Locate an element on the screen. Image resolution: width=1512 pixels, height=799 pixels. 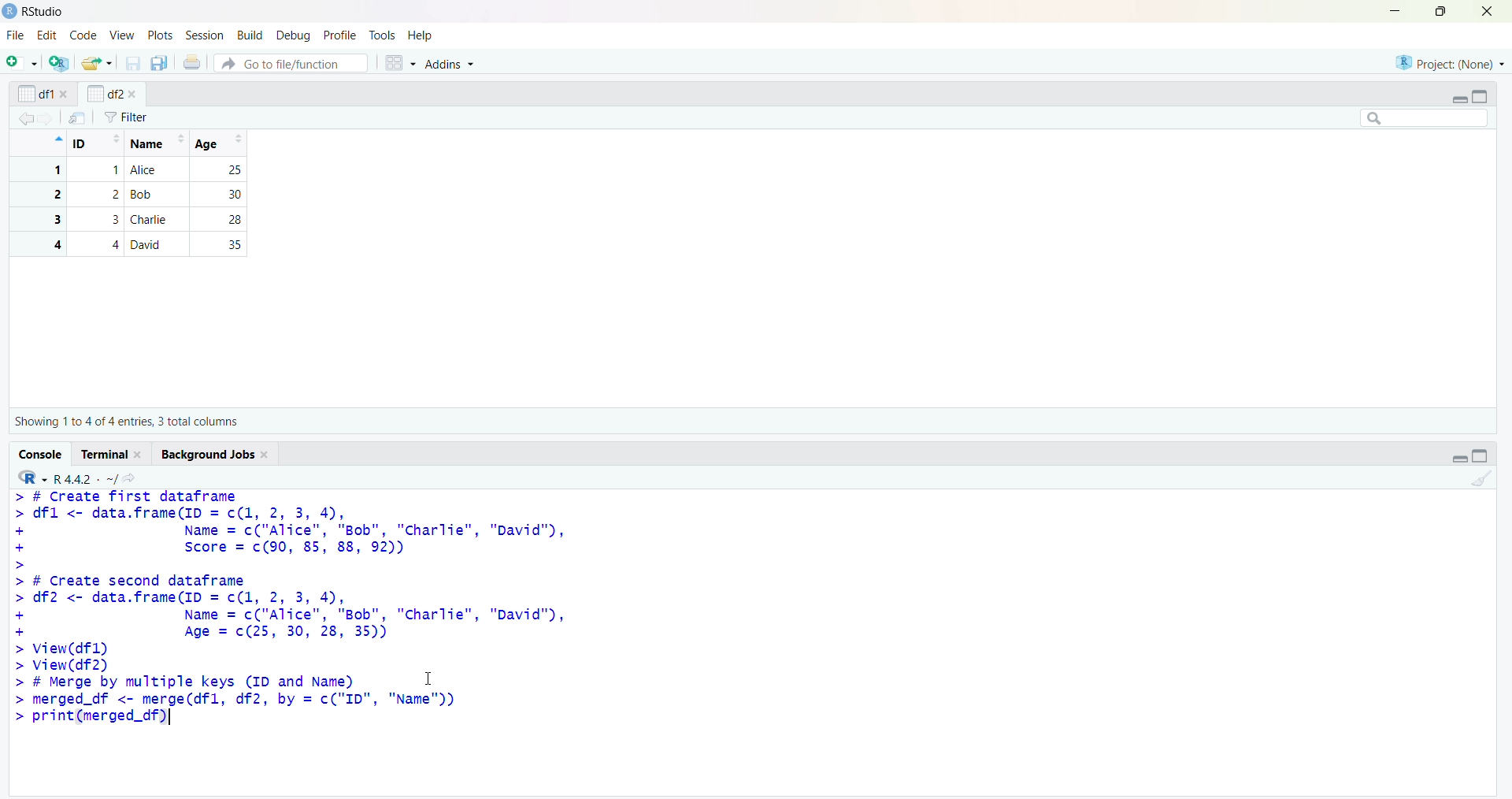
Go to file/function is located at coordinates (291, 63).